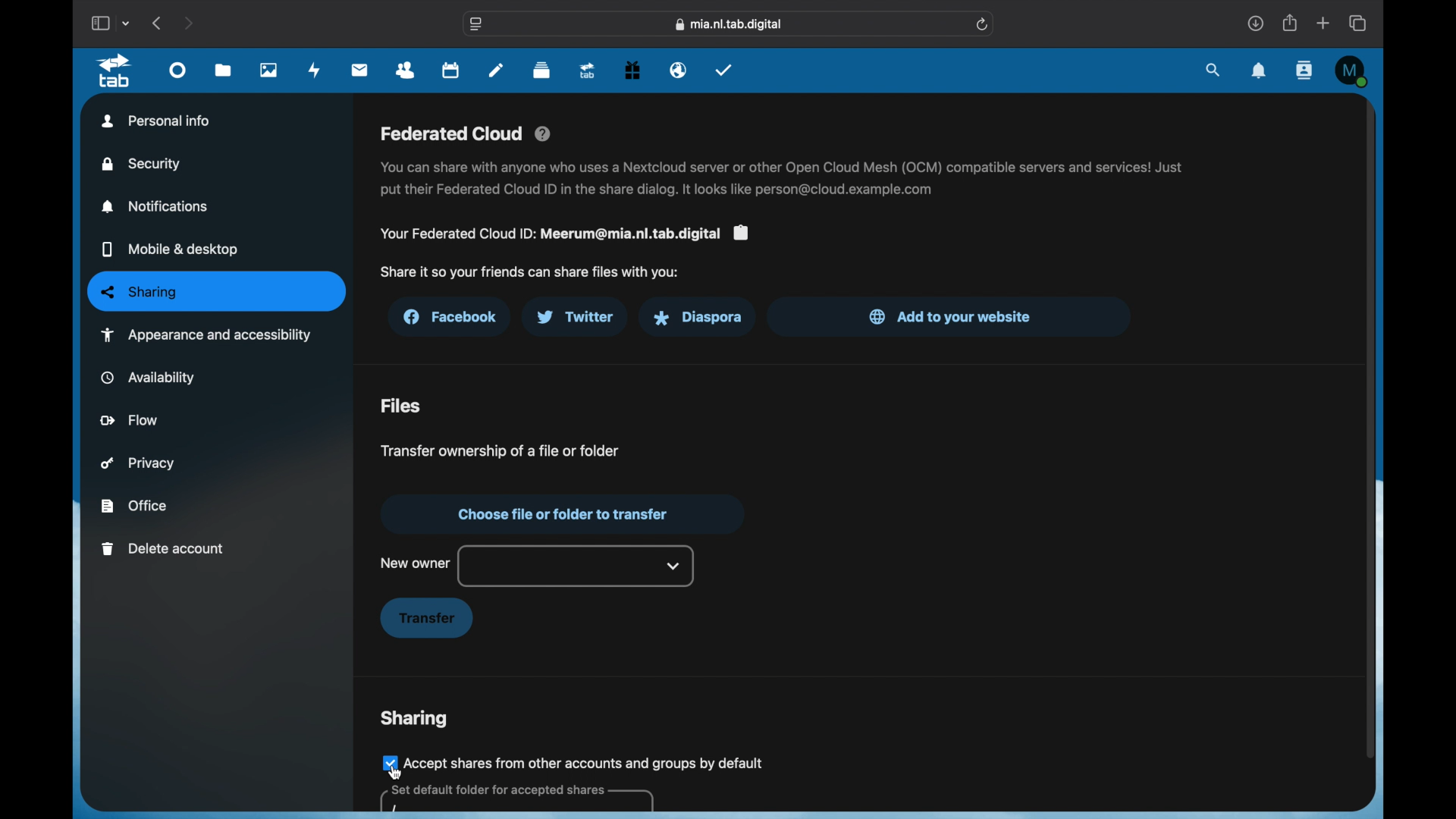 This screenshot has width=1456, height=819. What do you see at coordinates (1369, 428) in the screenshot?
I see `scroll box` at bounding box center [1369, 428].